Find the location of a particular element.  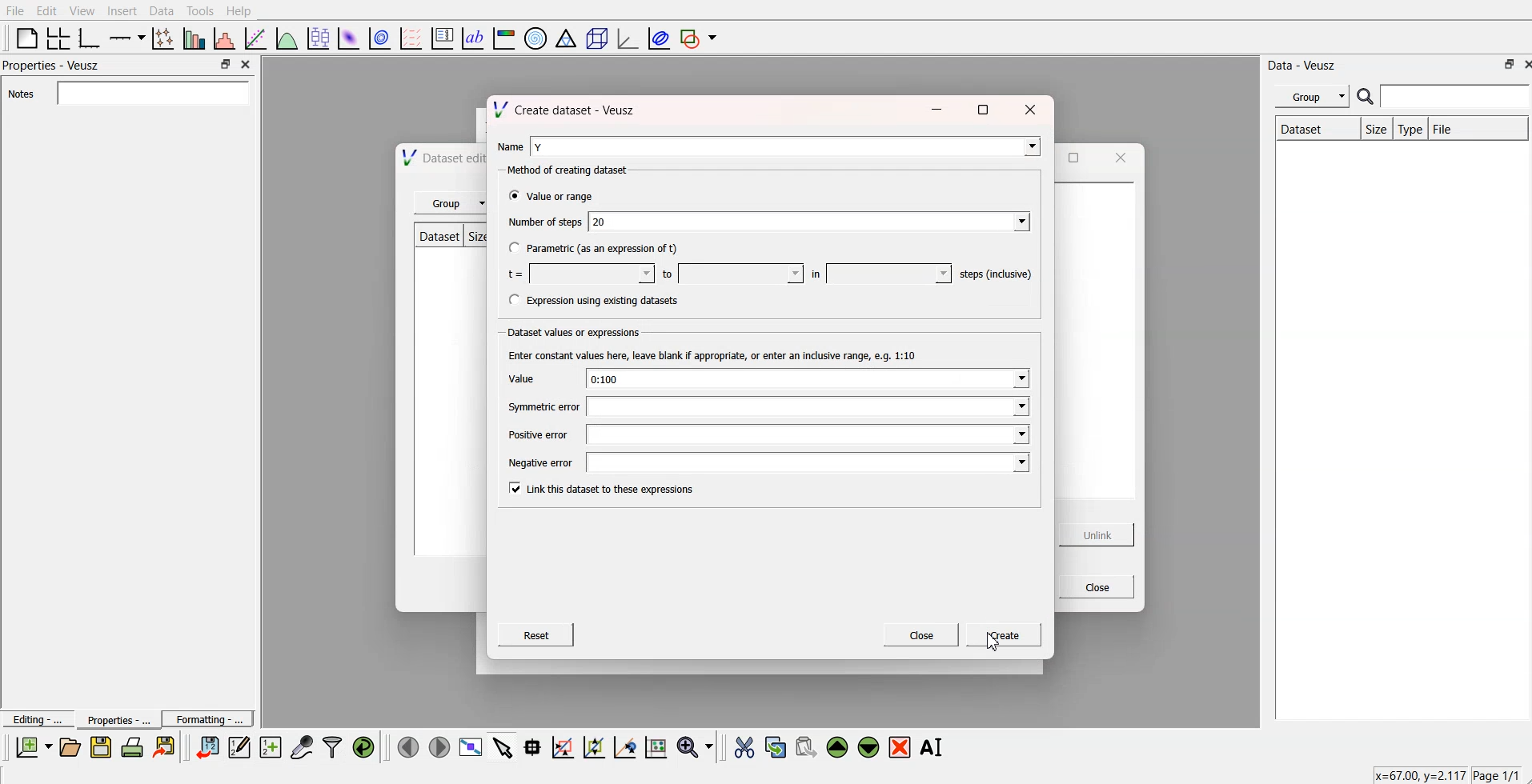

‘Symmetric error is located at coordinates (532, 407).